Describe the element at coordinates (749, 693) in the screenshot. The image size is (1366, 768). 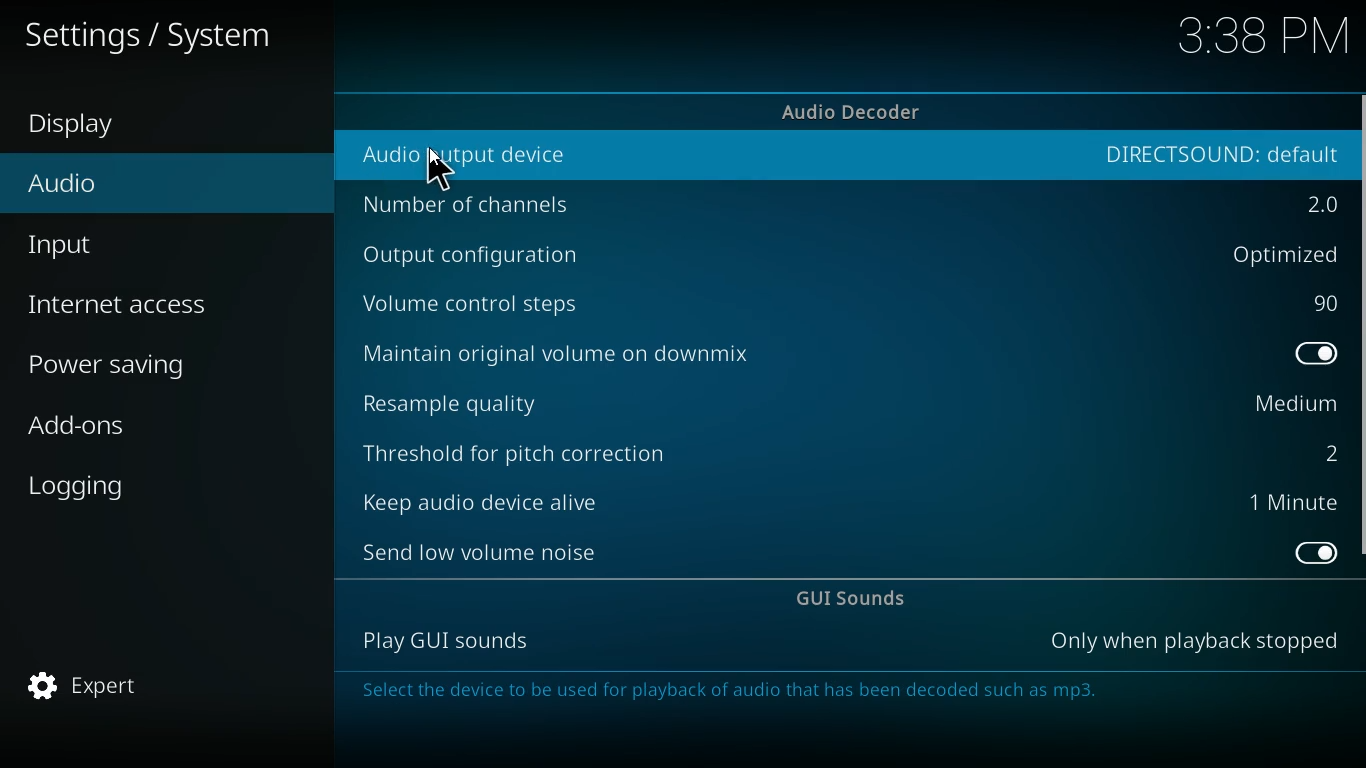
I see `this category contains the setting for how audio output is handled` at that location.